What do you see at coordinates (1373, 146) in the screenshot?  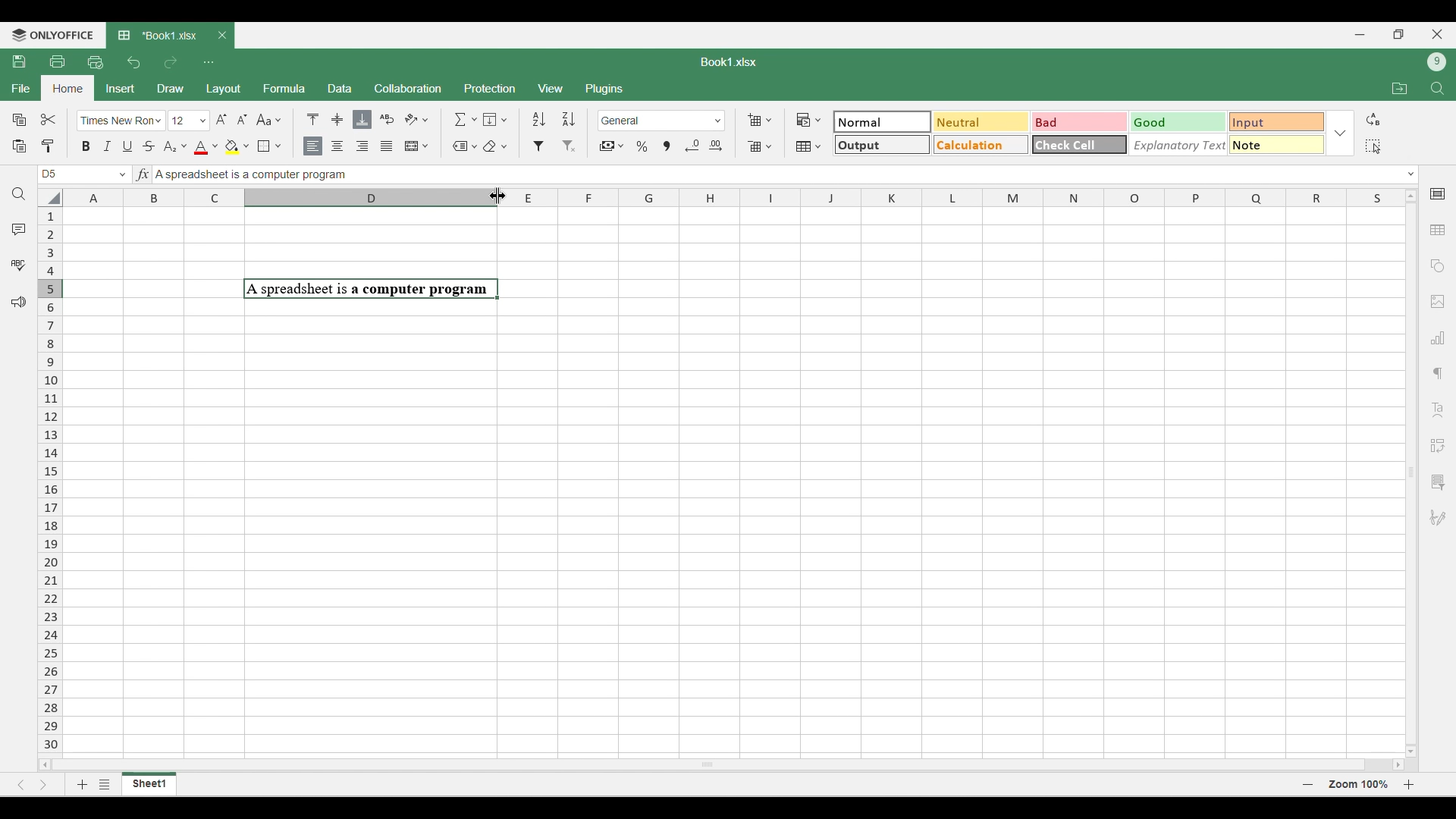 I see `Select all` at bounding box center [1373, 146].